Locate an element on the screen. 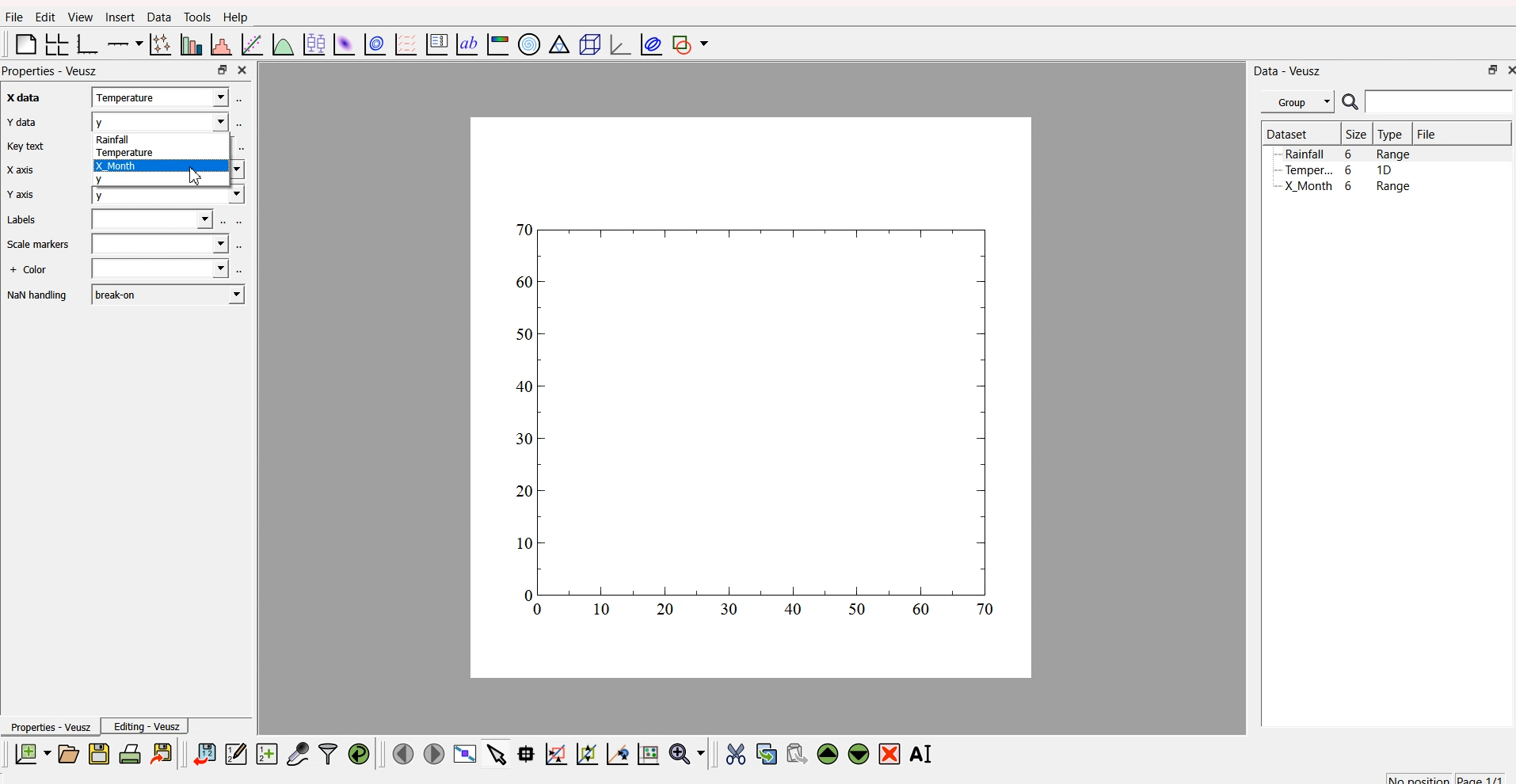 The height and width of the screenshot is (784, 1516). no position page 1/1 is located at coordinates (1445, 775).